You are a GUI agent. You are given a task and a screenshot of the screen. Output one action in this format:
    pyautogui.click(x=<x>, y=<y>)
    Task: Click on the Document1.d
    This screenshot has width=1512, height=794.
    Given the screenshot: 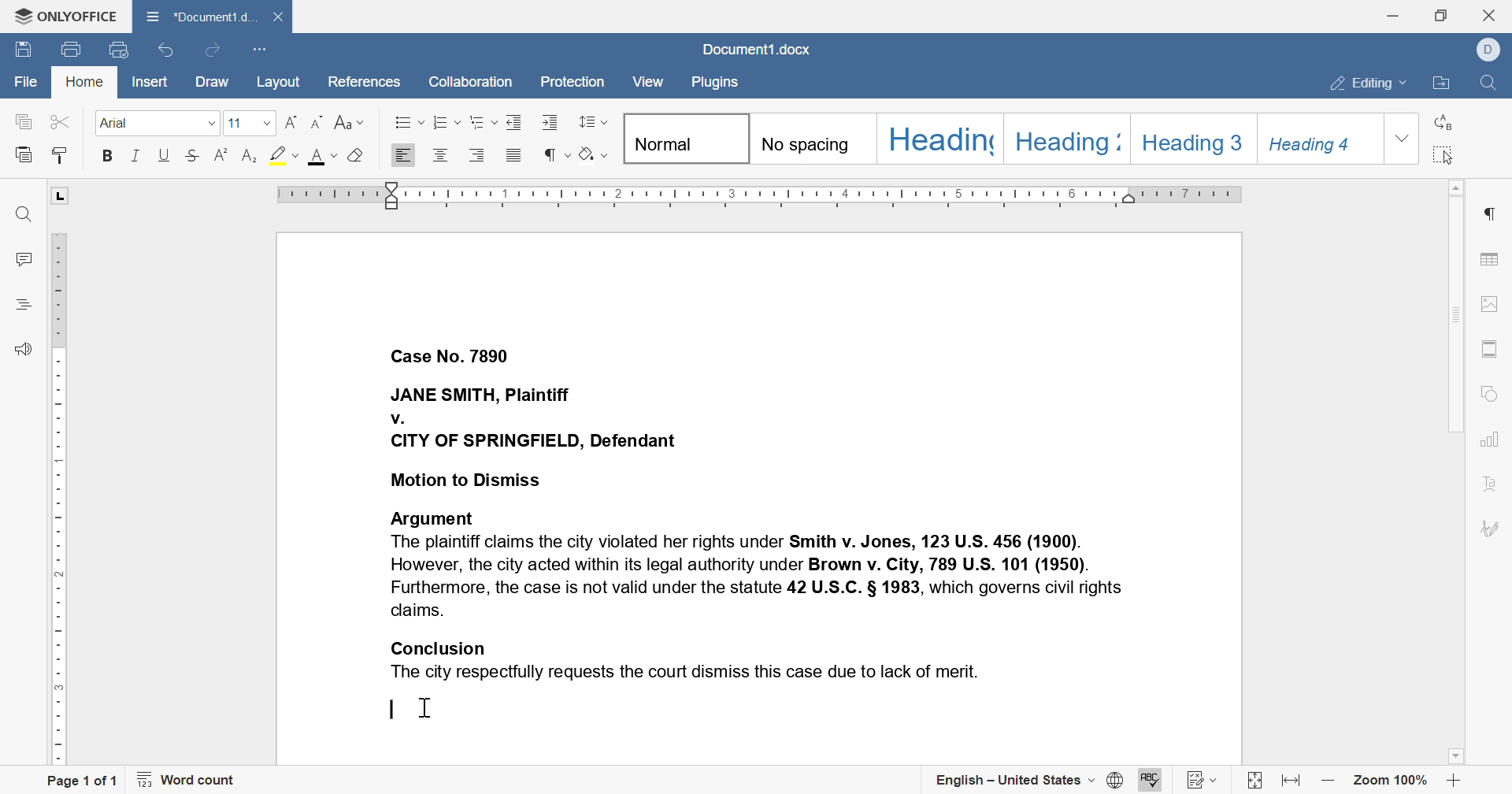 What is the action you would take?
    pyautogui.click(x=199, y=14)
    